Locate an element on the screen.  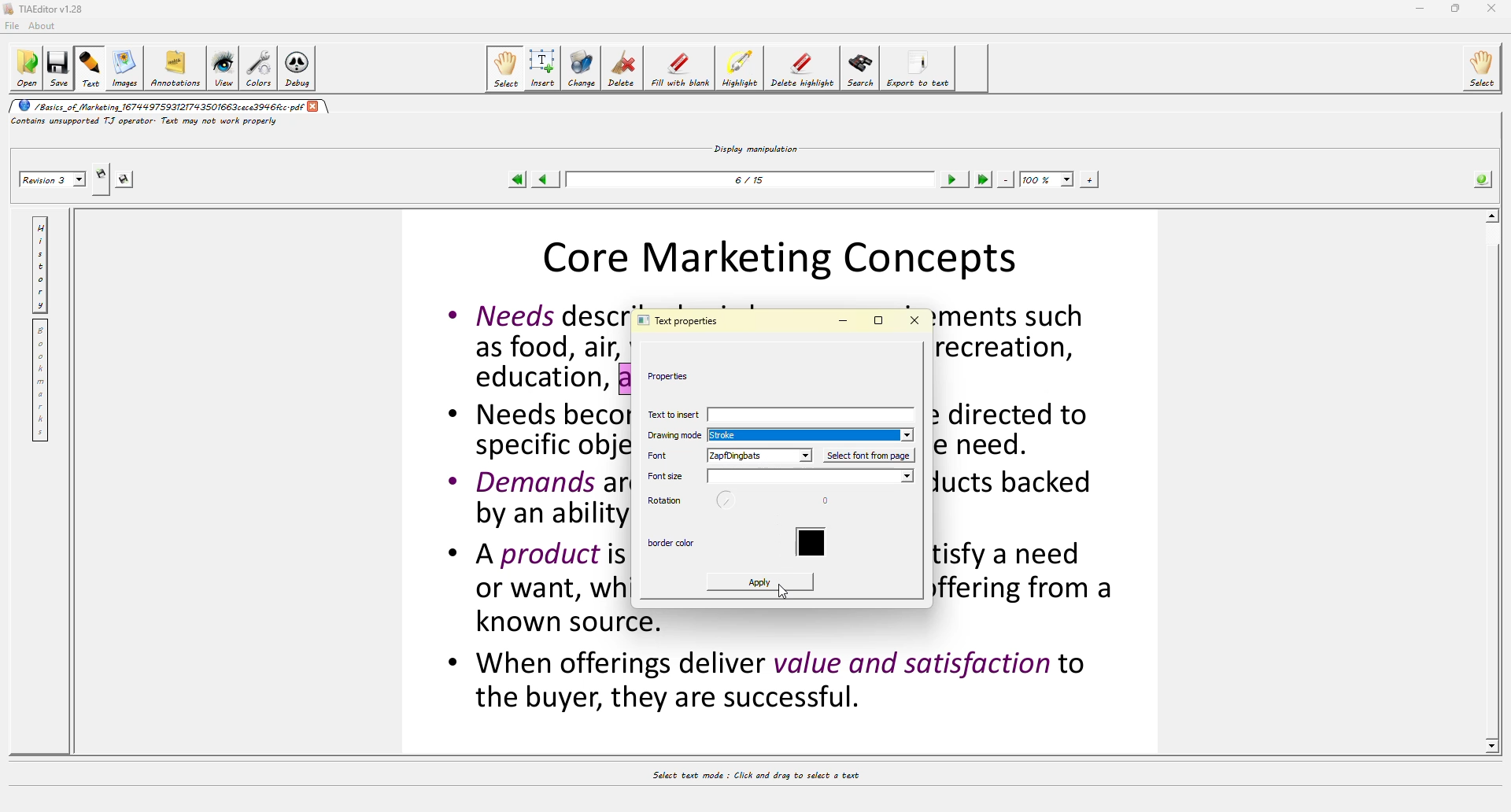
debug is located at coordinates (295, 71).